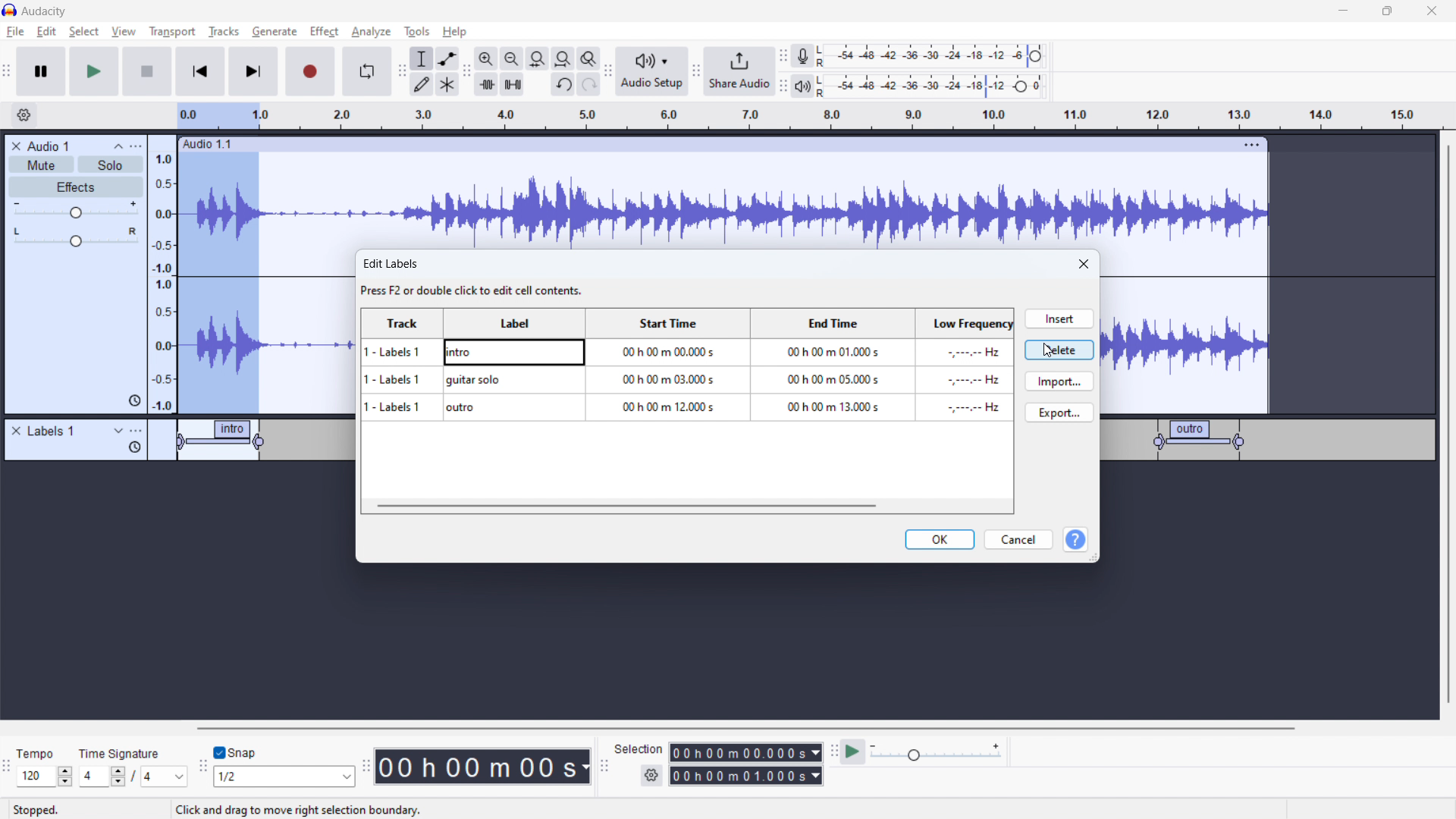  Describe the element at coordinates (136, 432) in the screenshot. I see `labels options` at that location.